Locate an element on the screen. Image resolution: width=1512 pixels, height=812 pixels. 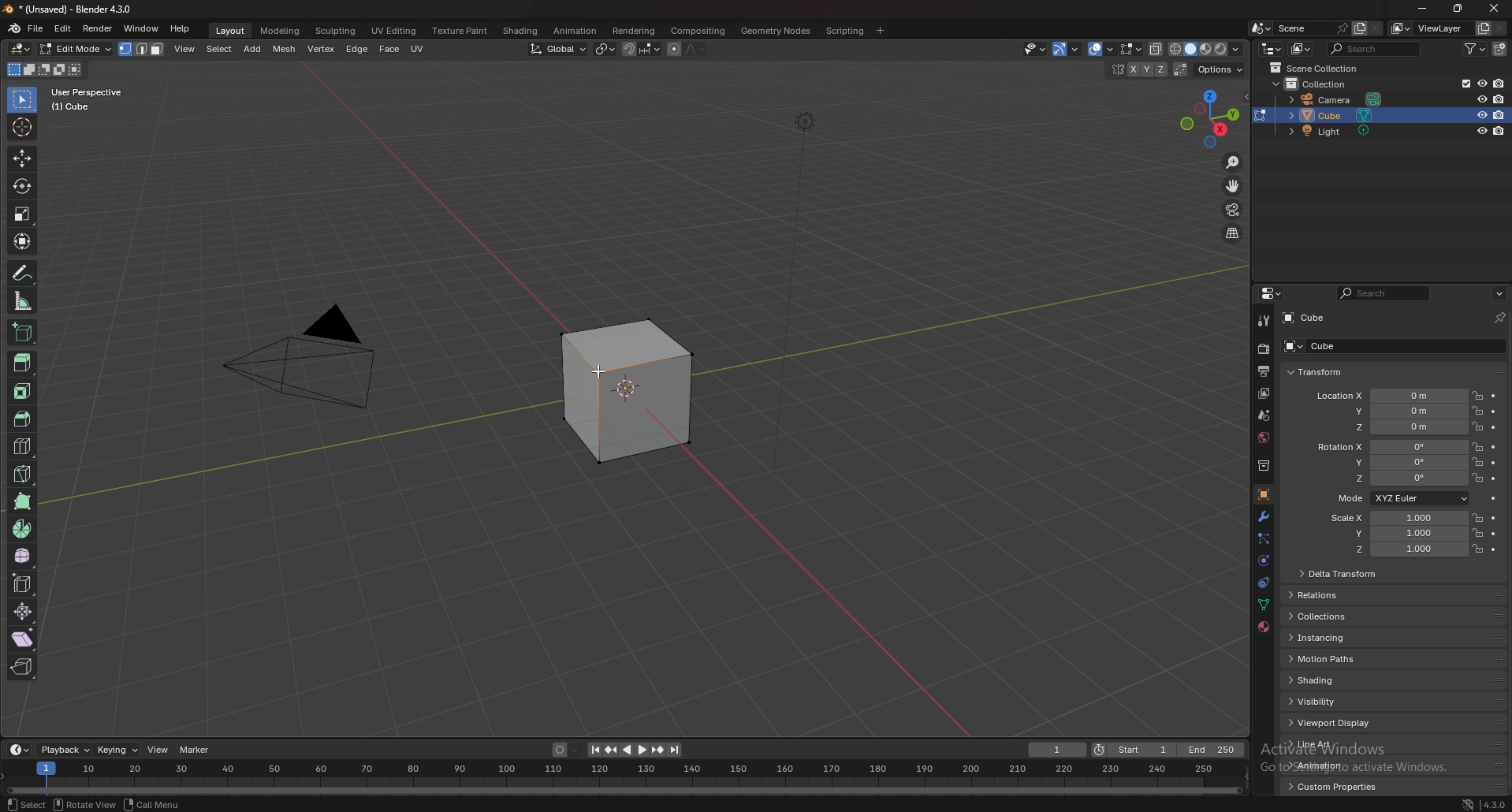
geometry nodes is located at coordinates (776, 30).